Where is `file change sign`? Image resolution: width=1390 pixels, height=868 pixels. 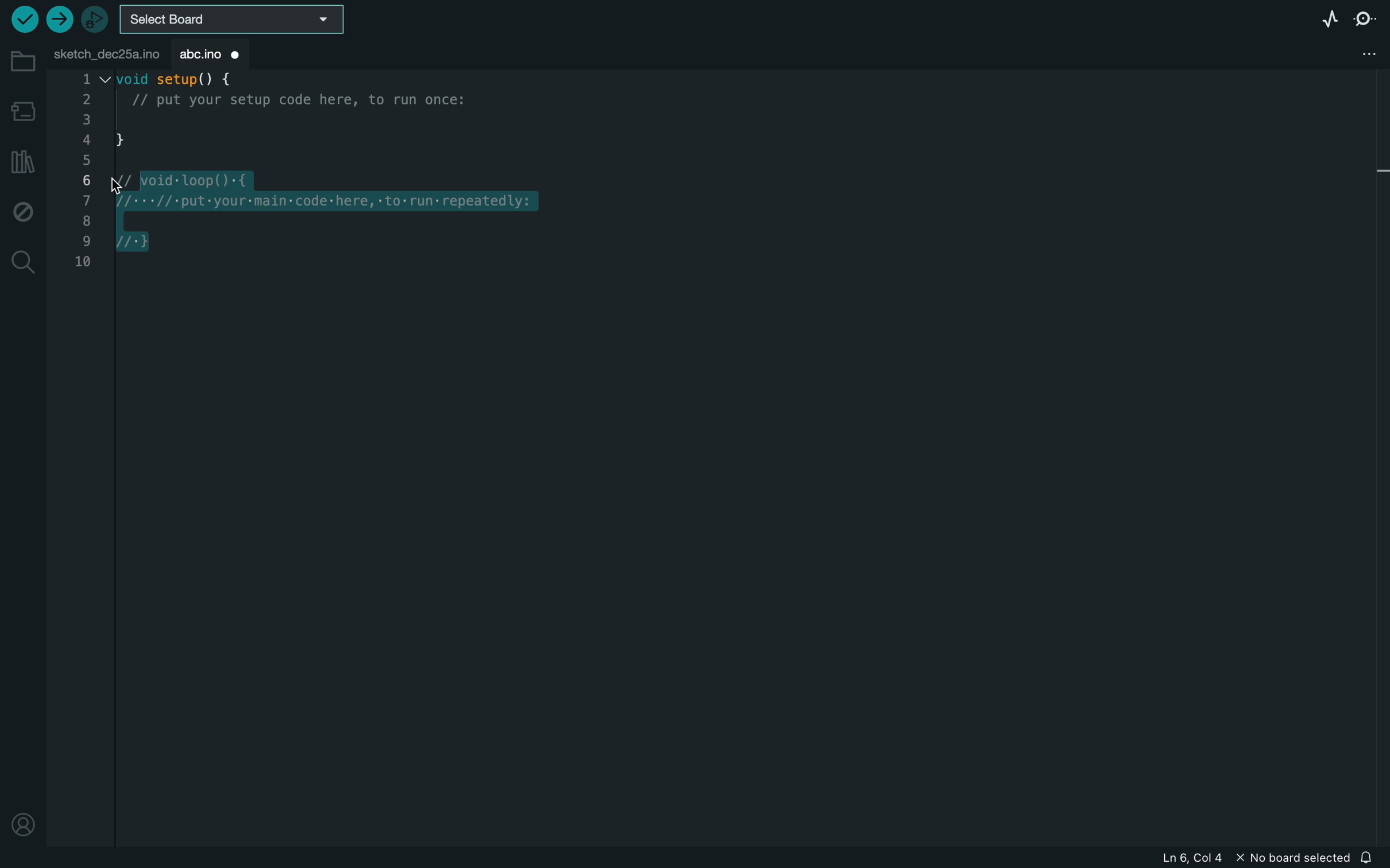
file change sign is located at coordinates (240, 54).